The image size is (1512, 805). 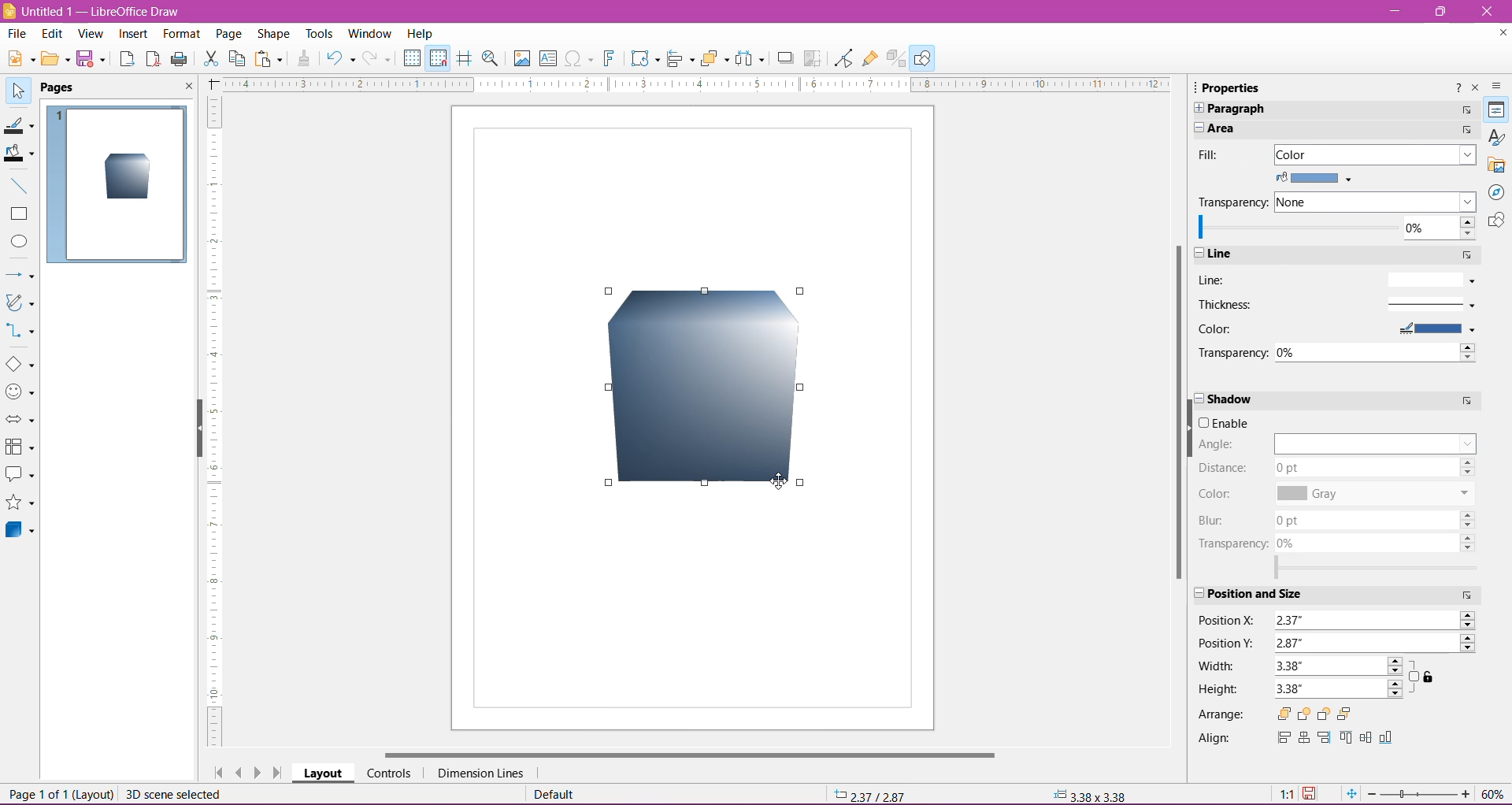 I want to click on Set Shadow distance, so click(x=1377, y=469).